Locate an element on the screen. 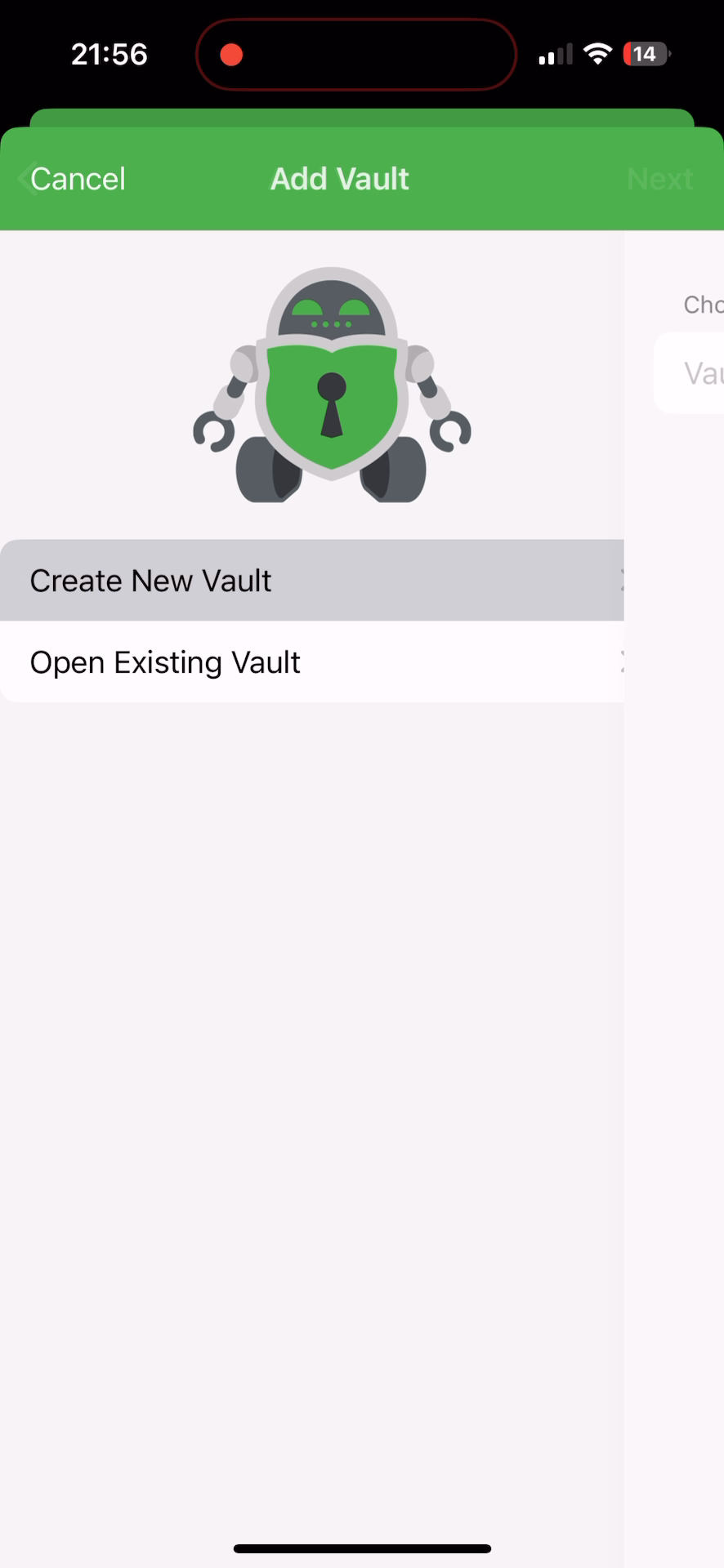  21:56 is located at coordinates (107, 57).